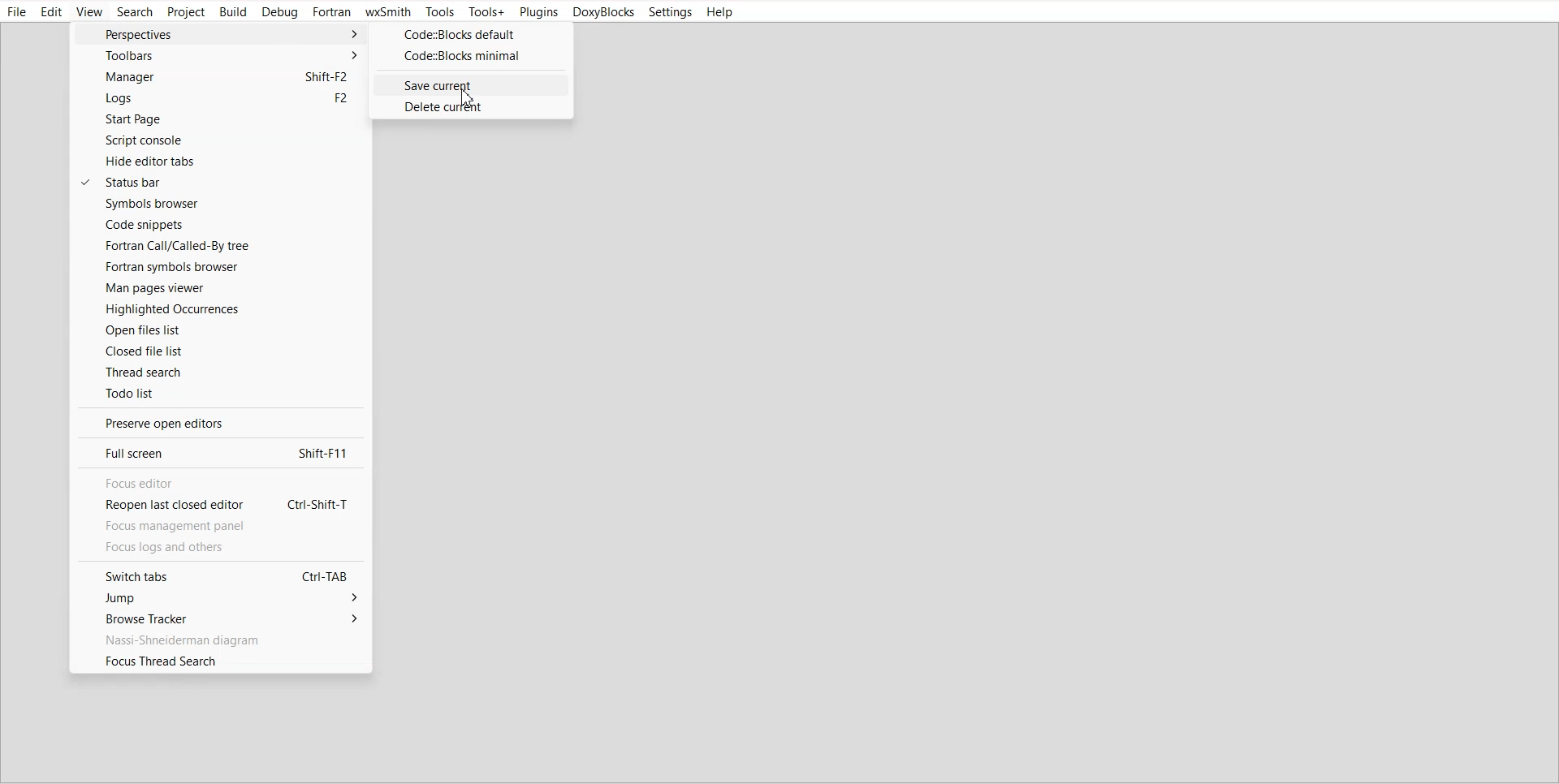 This screenshot has width=1559, height=784. What do you see at coordinates (721, 12) in the screenshot?
I see `Help` at bounding box center [721, 12].